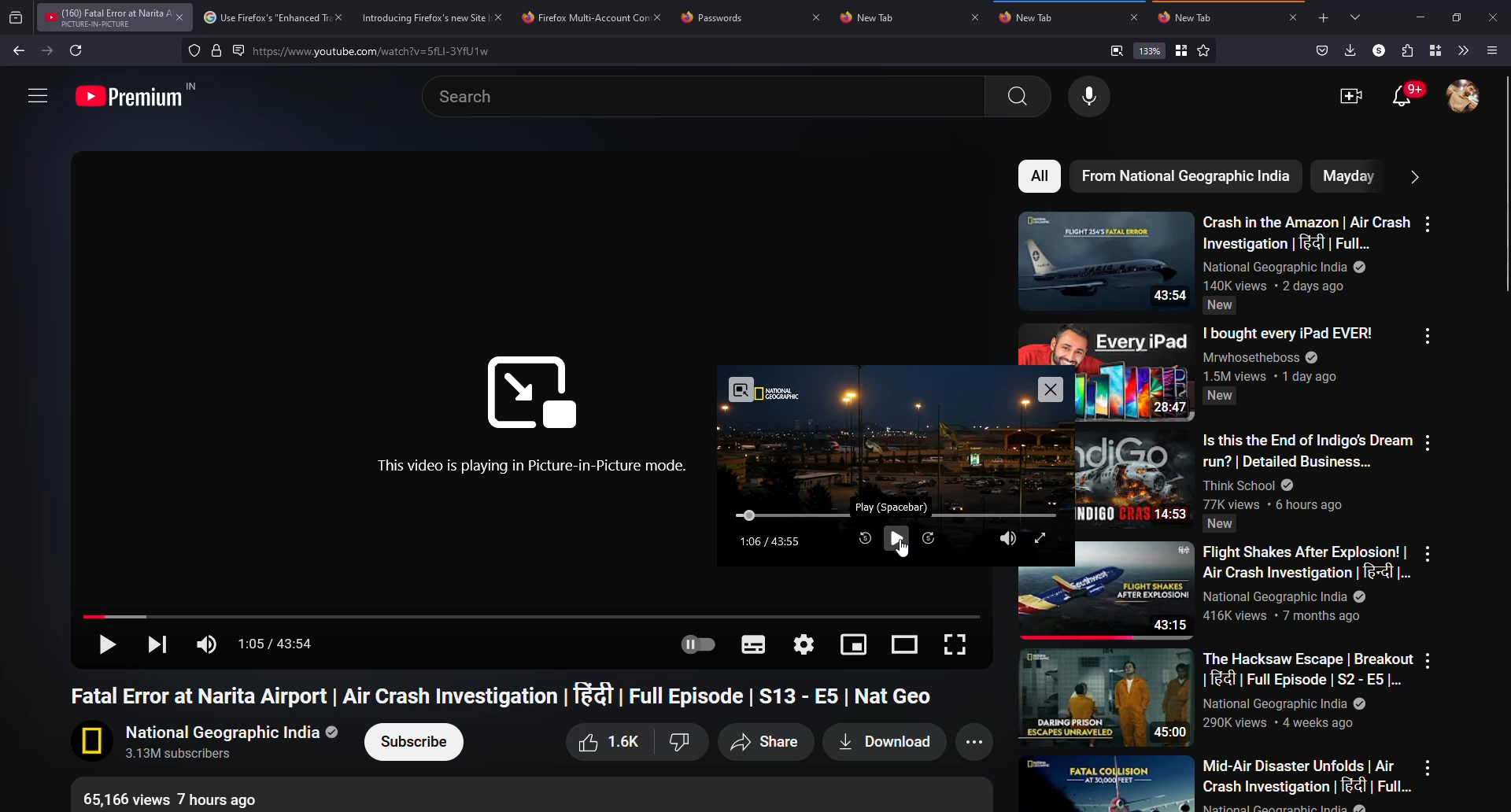 The height and width of the screenshot is (812, 1511). I want to click on otifications, so click(1408, 96).